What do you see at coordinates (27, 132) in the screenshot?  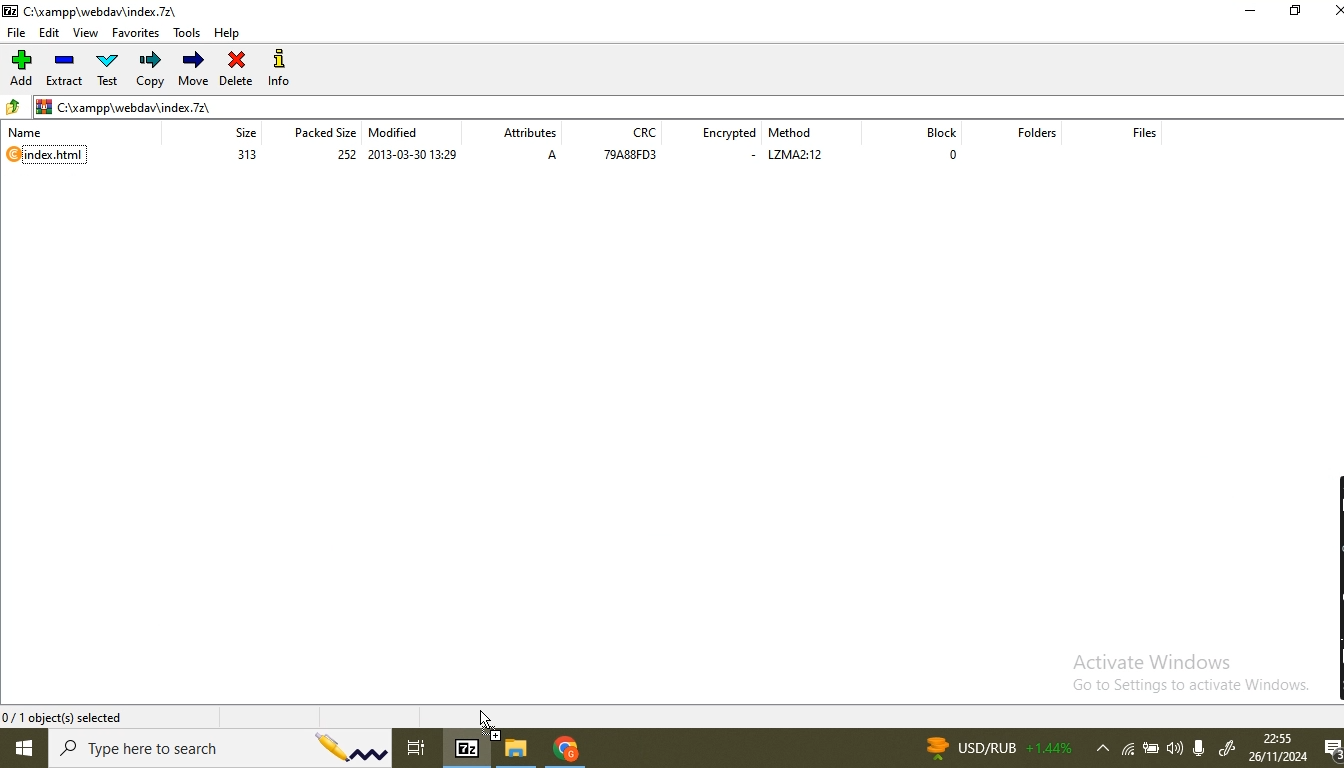 I see `name` at bounding box center [27, 132].